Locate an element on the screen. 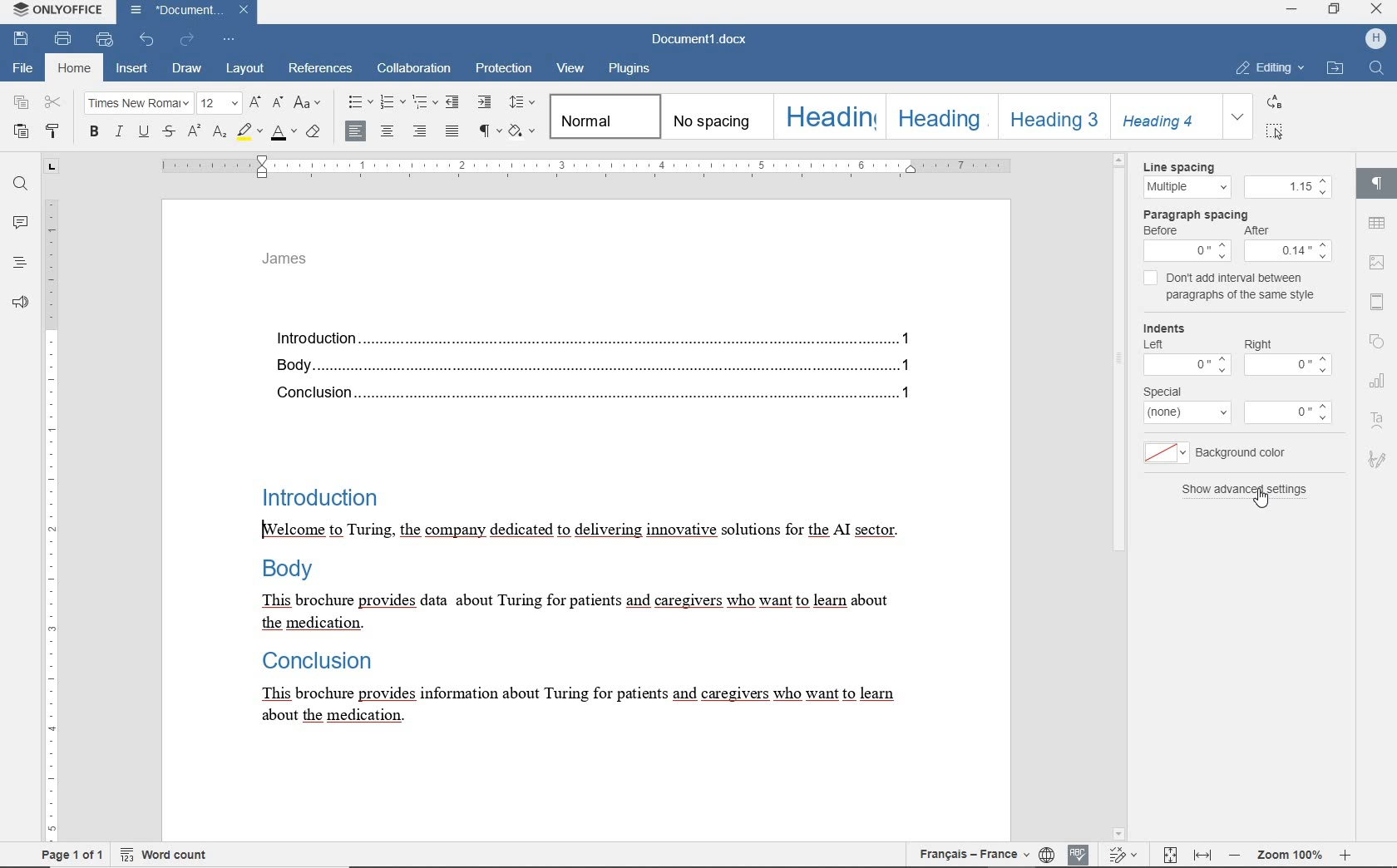 This screenshot has height=868, width=1397. This brochure provides data about Turing for patients and caregivers who want to learn about
the medication. is located at coordinates (576, 610).